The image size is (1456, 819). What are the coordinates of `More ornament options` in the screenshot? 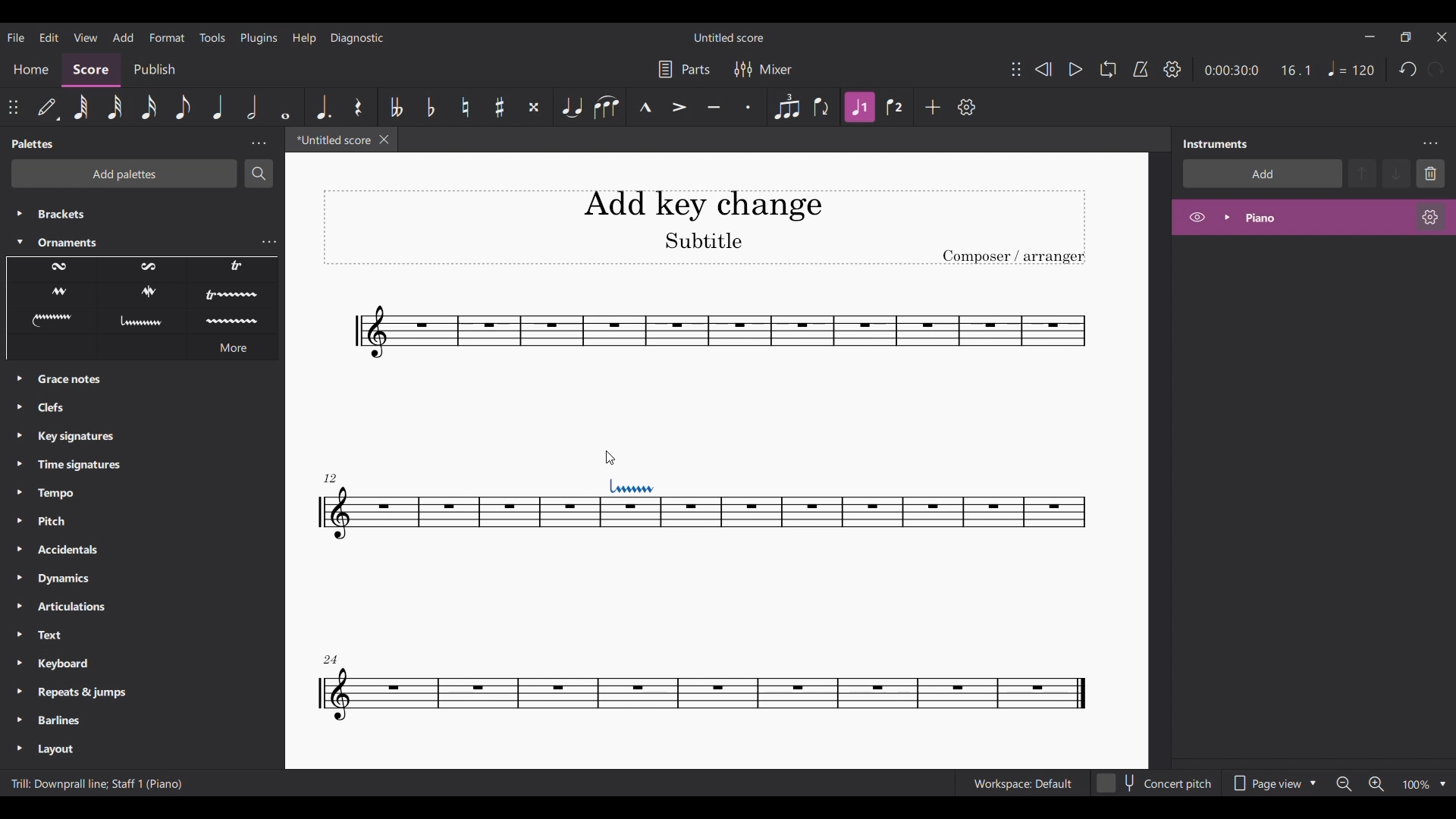 It's located at (233, 347).